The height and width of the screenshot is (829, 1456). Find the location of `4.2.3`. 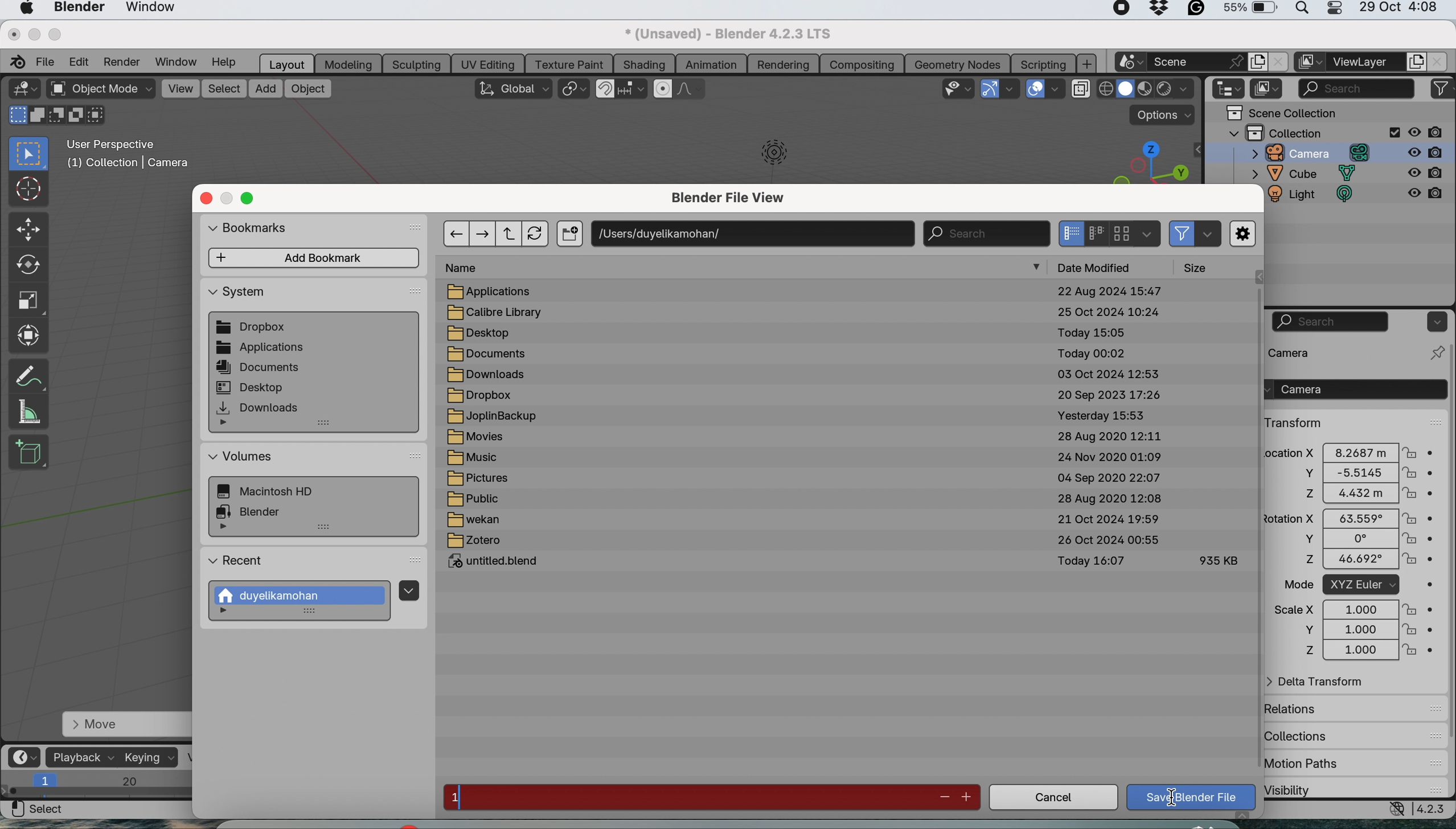

4.2.3 is located at coordinates (1433, 809).